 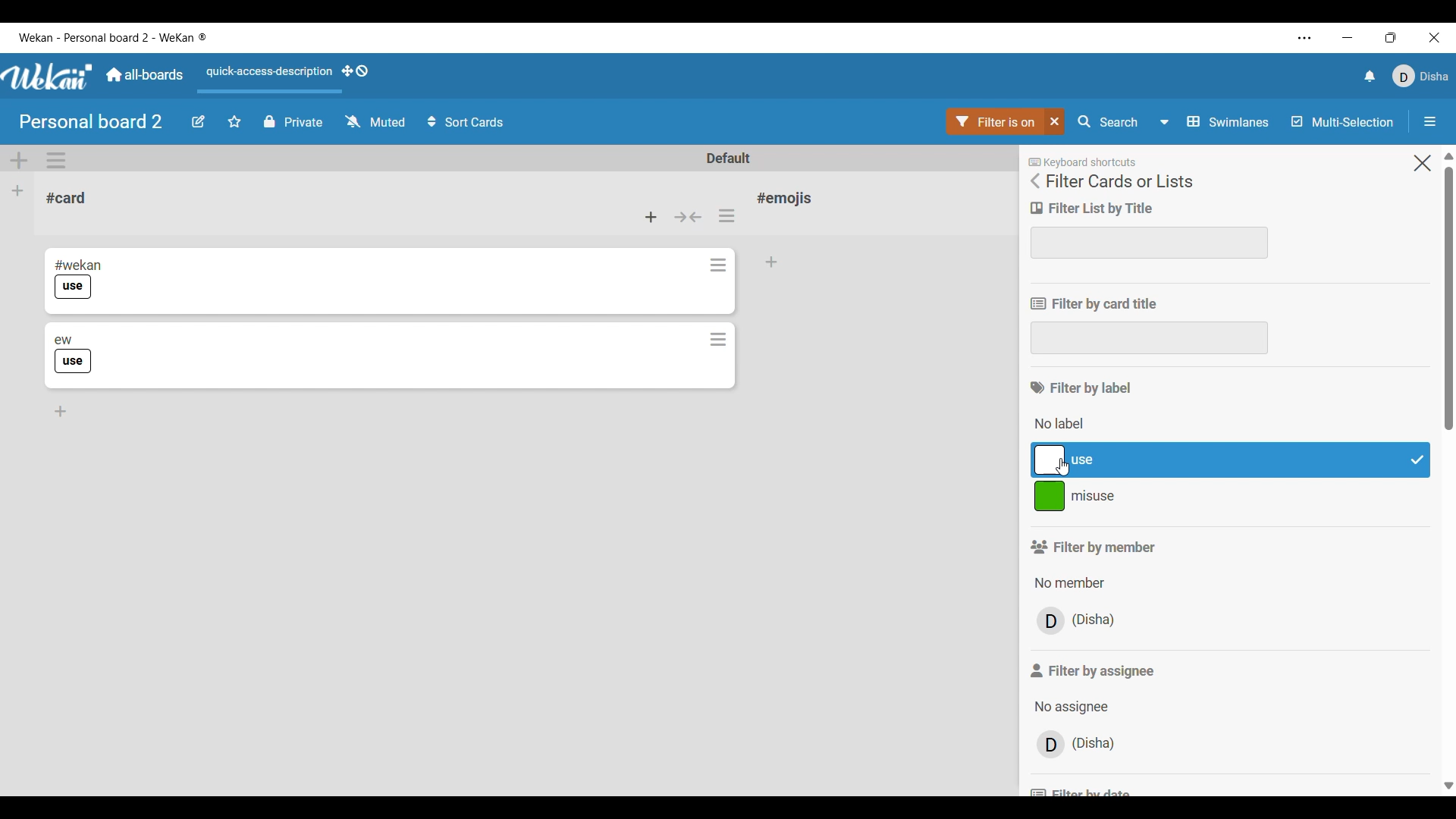 I want to click on color, so click(x=1048, y=460).